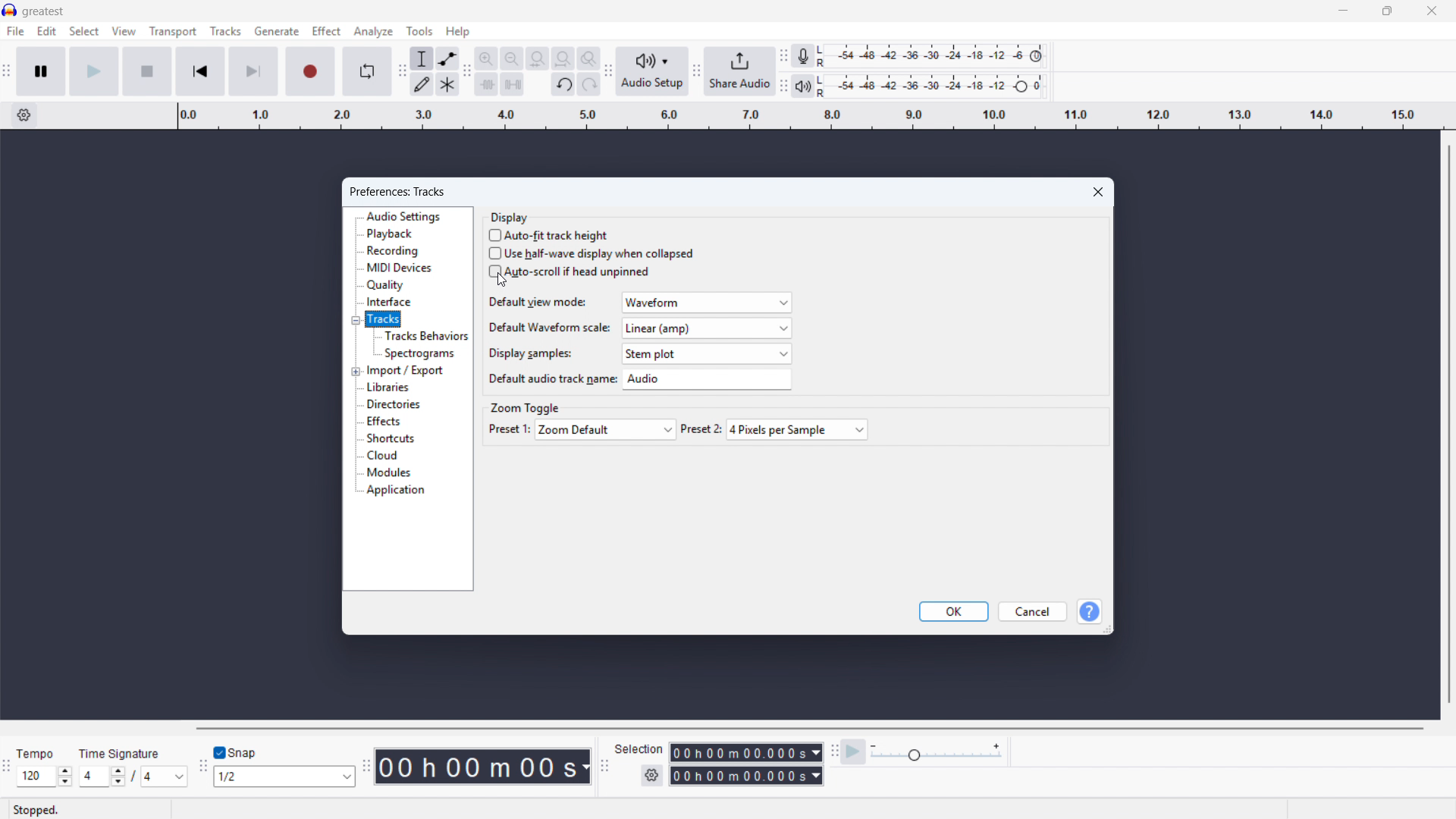  What do you see at coordinates (935, 56) in the screenshot?
I see `Recording level` at bounding box center [935, 56].